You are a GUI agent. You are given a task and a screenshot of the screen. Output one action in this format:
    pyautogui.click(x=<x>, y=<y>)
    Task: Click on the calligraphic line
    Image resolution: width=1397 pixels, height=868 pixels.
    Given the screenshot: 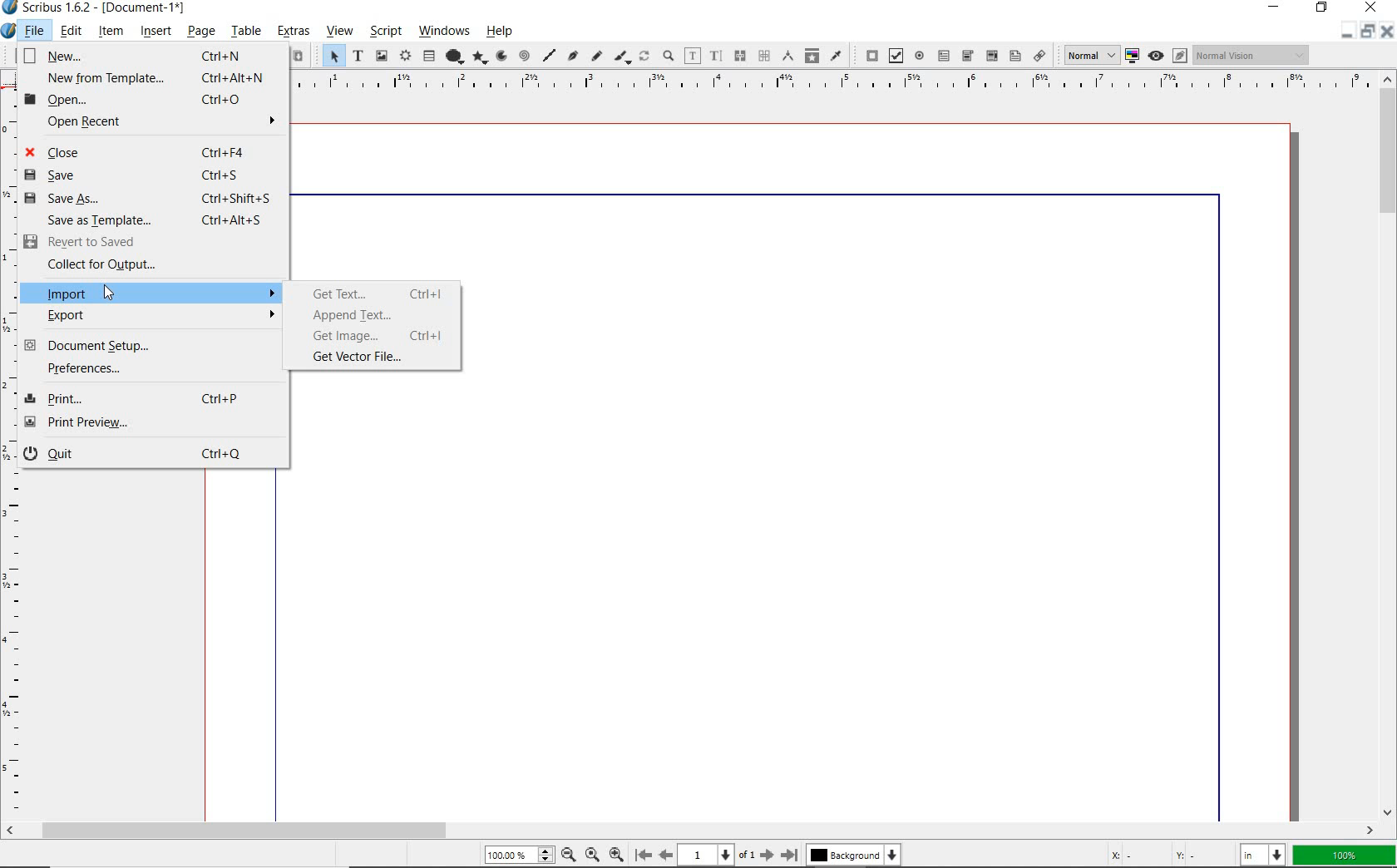 What is the action you would take?
    pyautogui.click(x=624, y=57)
    